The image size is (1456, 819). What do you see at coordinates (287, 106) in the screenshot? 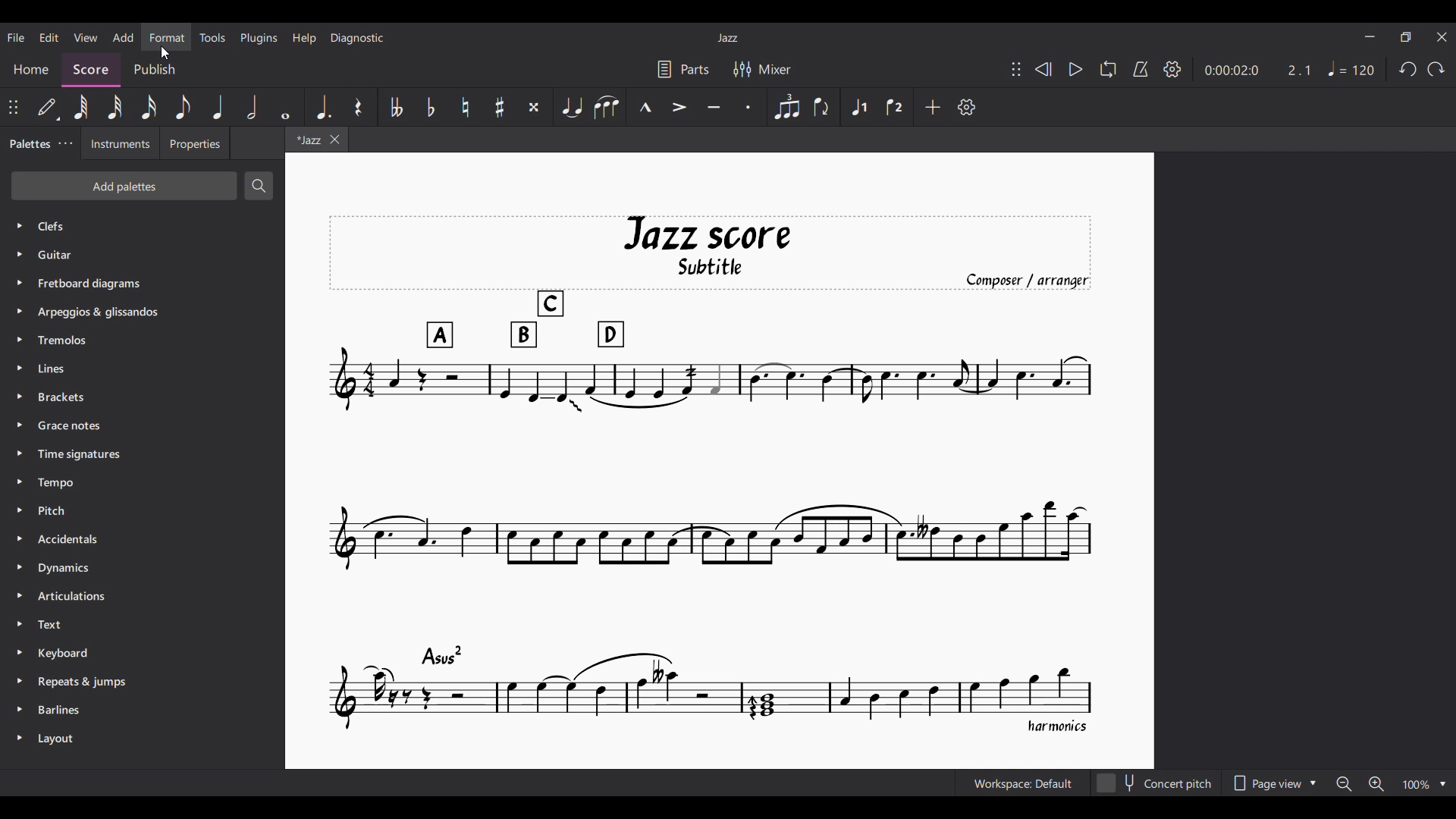
I see `Whole note` at bounding box center [287, 106].